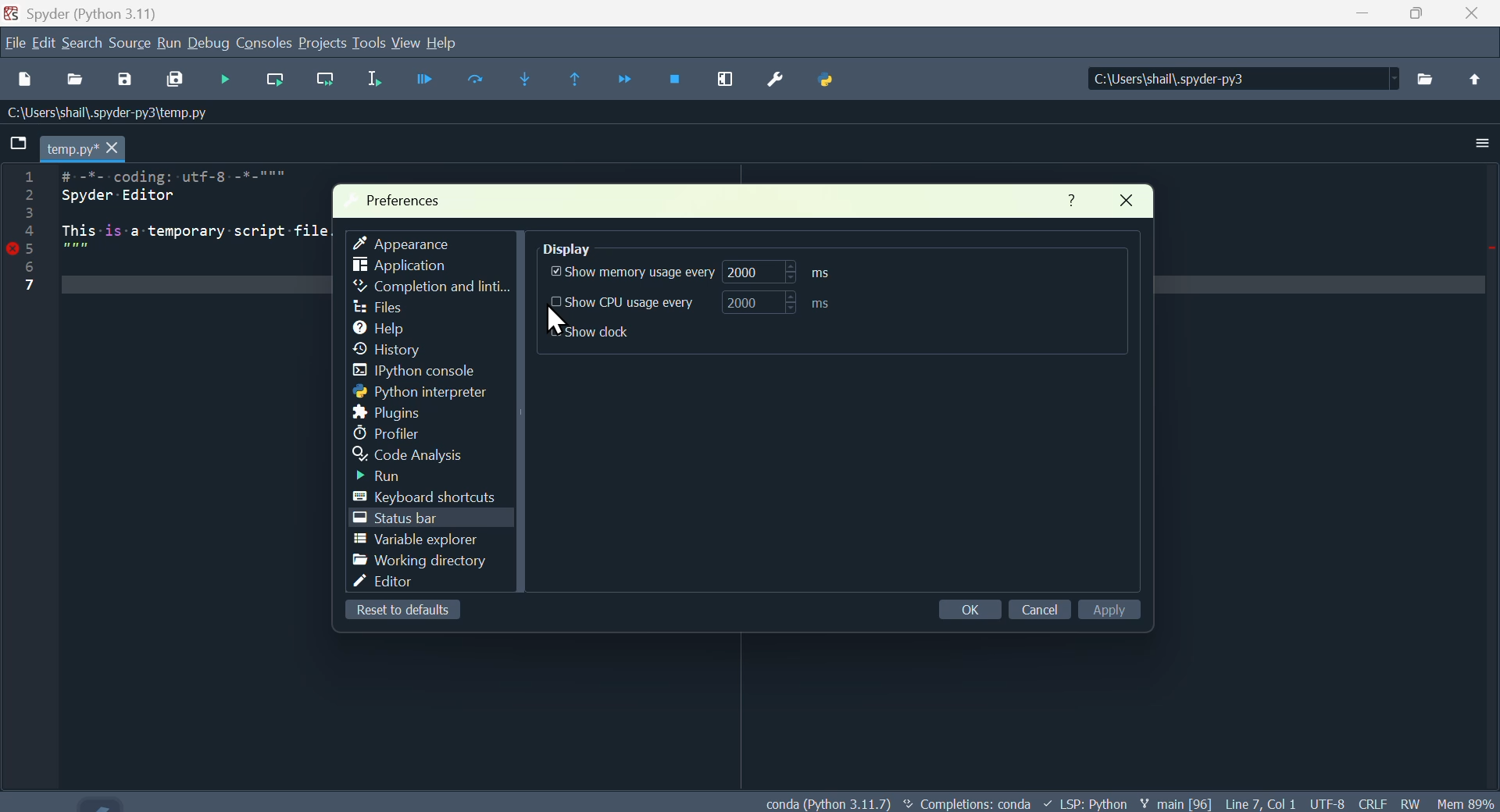 This screenshot has width=1500, height=812. What do you see at coordinates (1045, 607) in the screenshot?
I see `Cancel` at bounding box center [1045, 607].